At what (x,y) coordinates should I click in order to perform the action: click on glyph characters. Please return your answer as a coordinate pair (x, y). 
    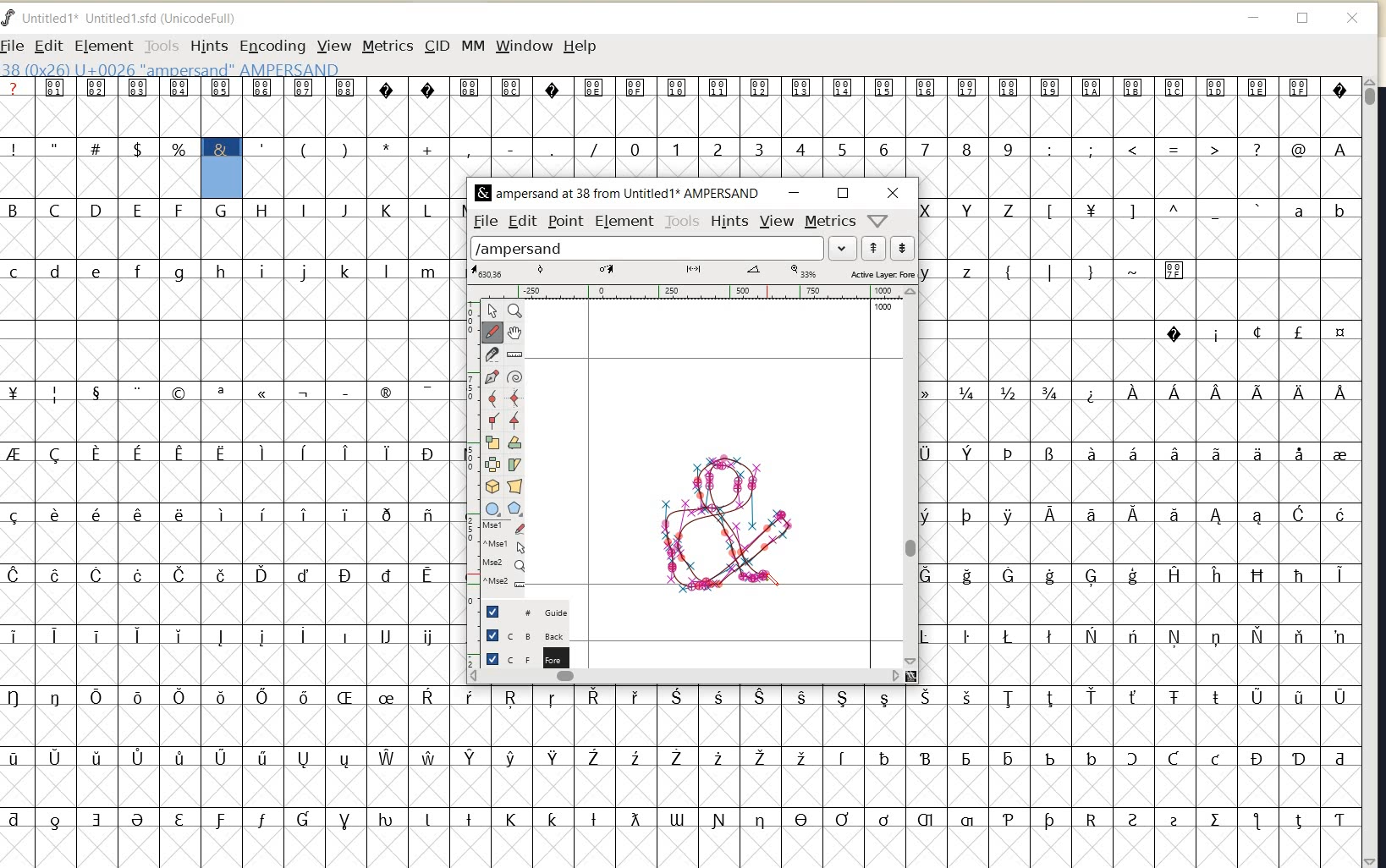
    Looking at the image, I should click on (325, 525).